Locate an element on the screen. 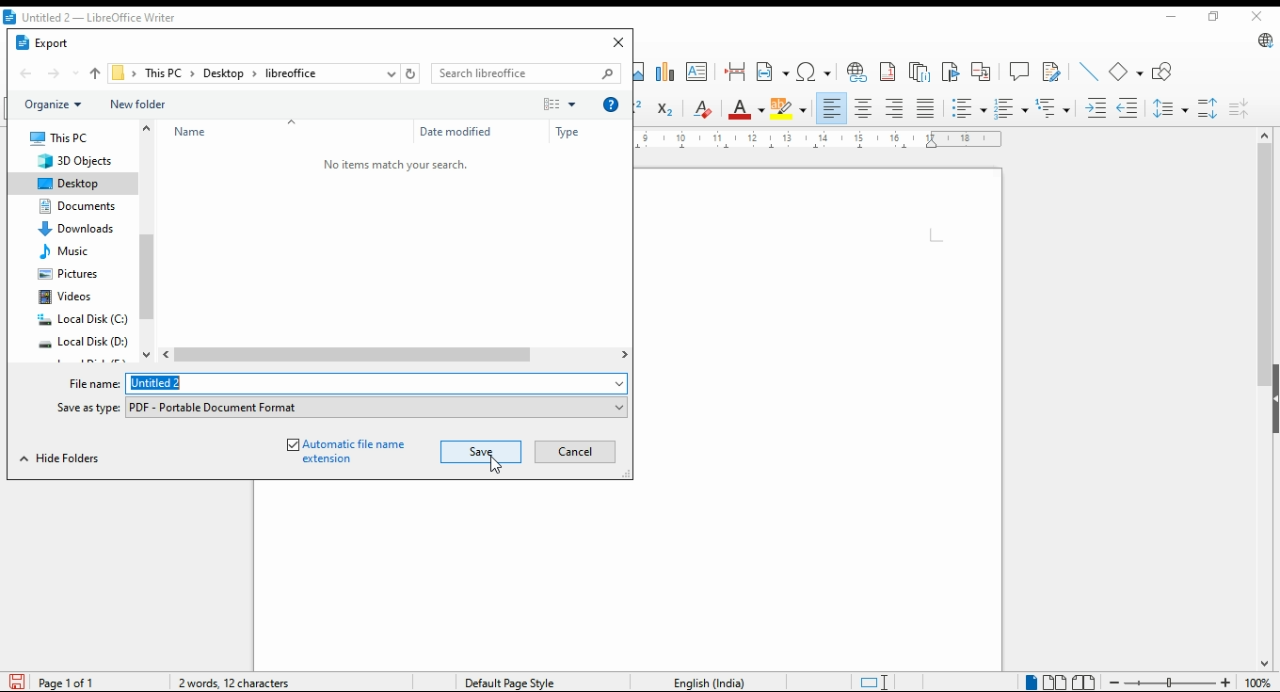 The width and height of the screenshot is (1280, 692). scroll bar is located at coordinates (1260, 398).